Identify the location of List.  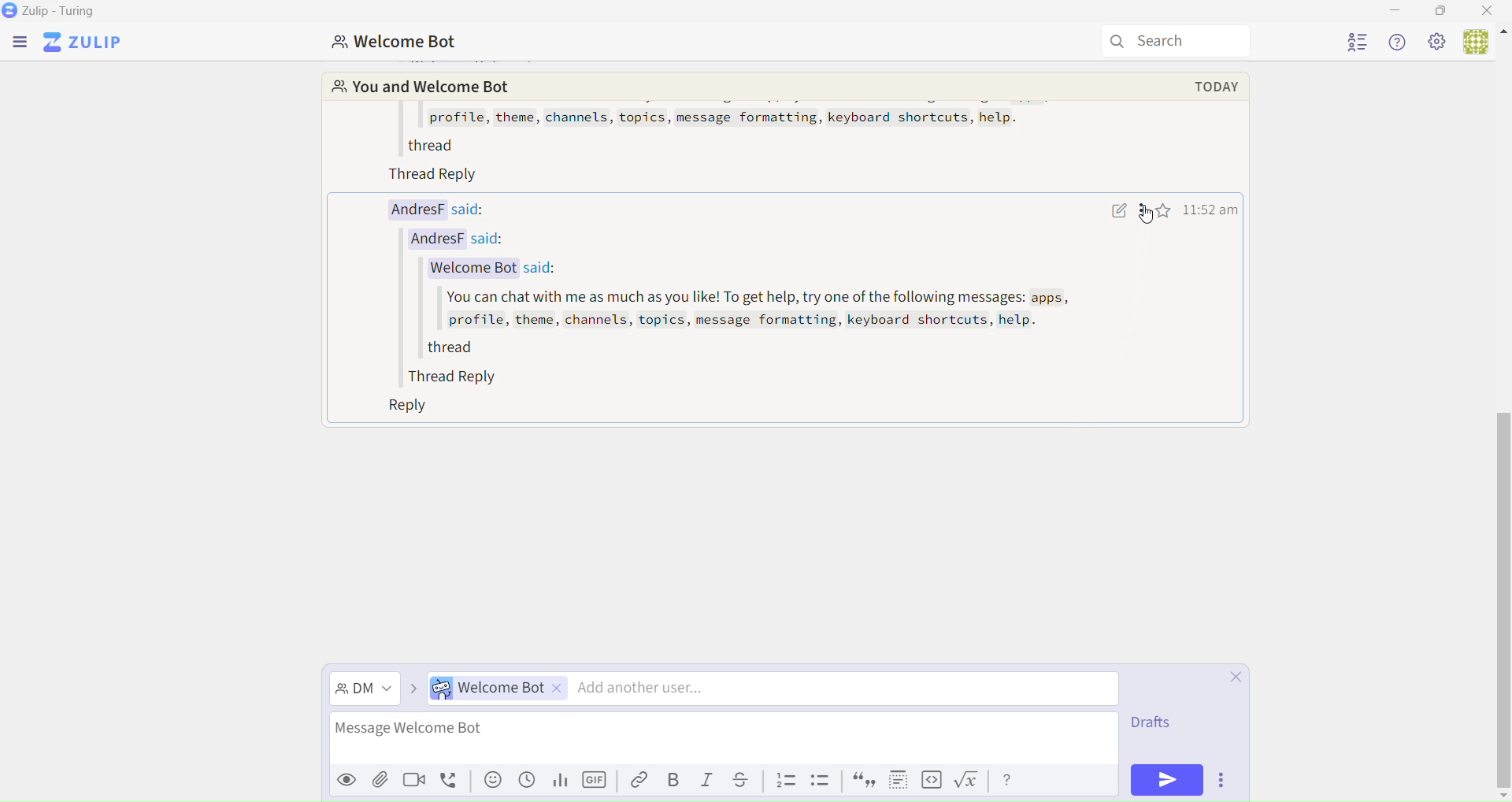
(785, 781).